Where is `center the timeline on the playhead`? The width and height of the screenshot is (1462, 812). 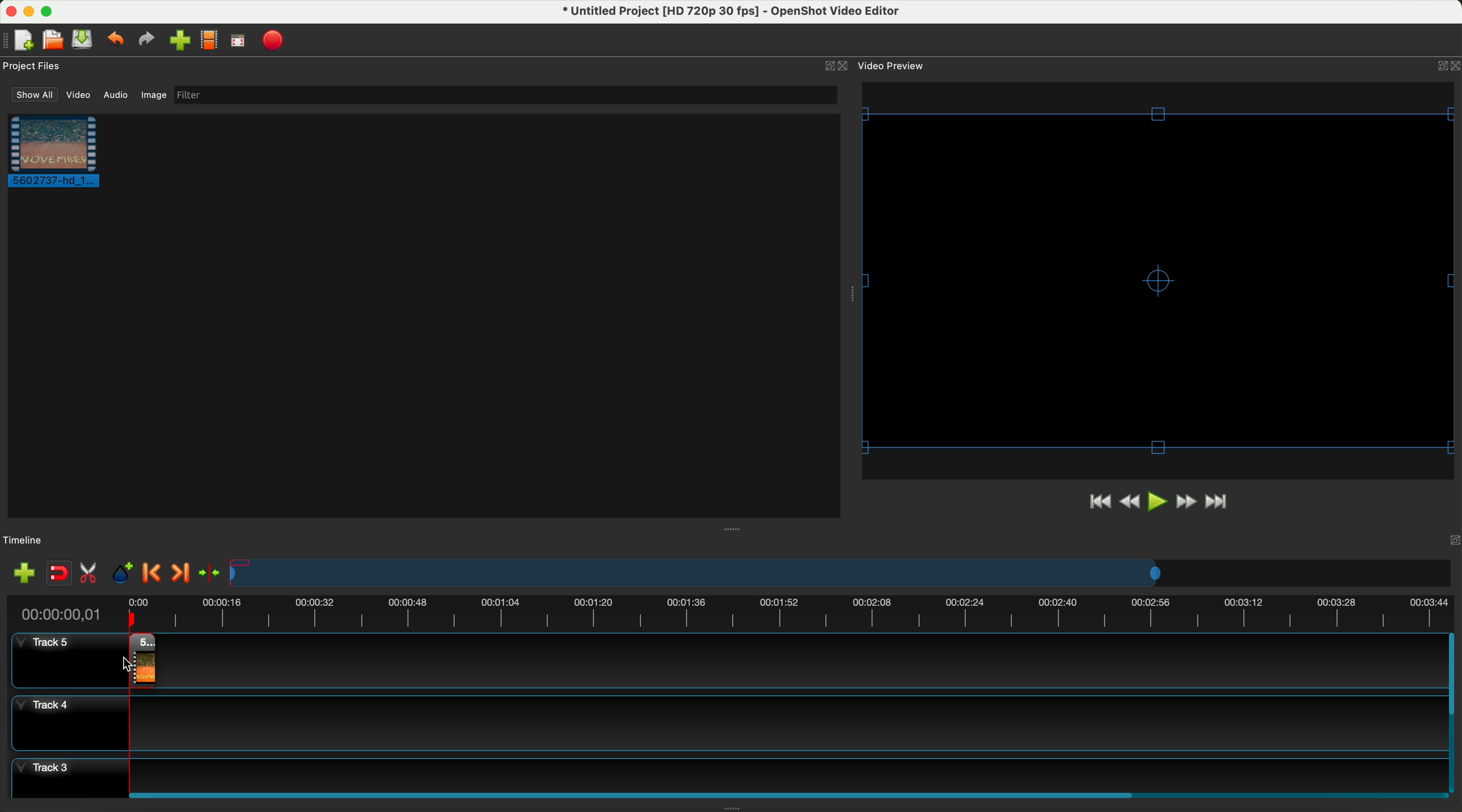 center the timeline on the playhead is located at coordinates (216, 573).